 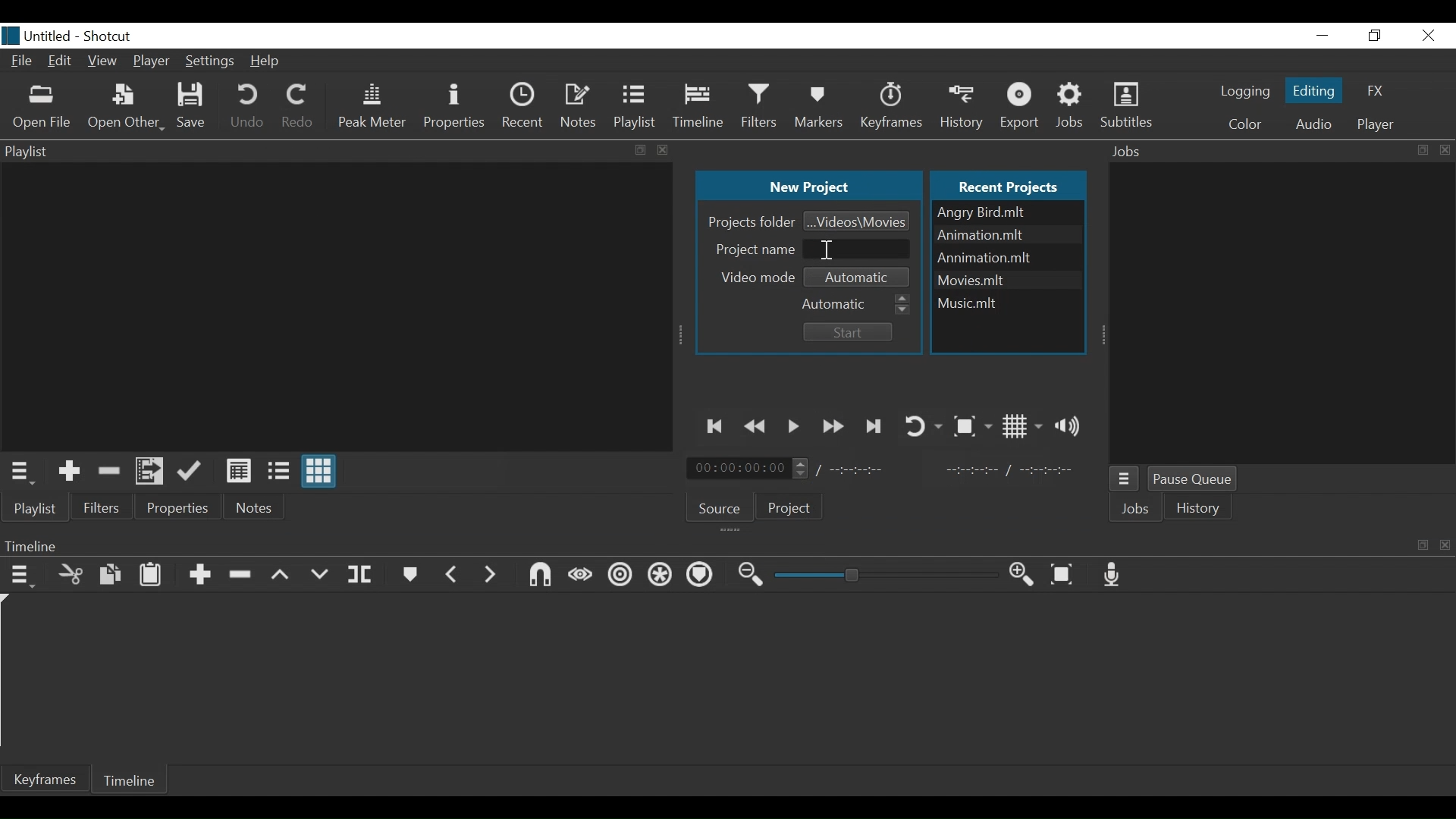 What do you see at coordinates (1022, 106) in the screenshot?
I see `Export` at bounding box center [1022, 106].